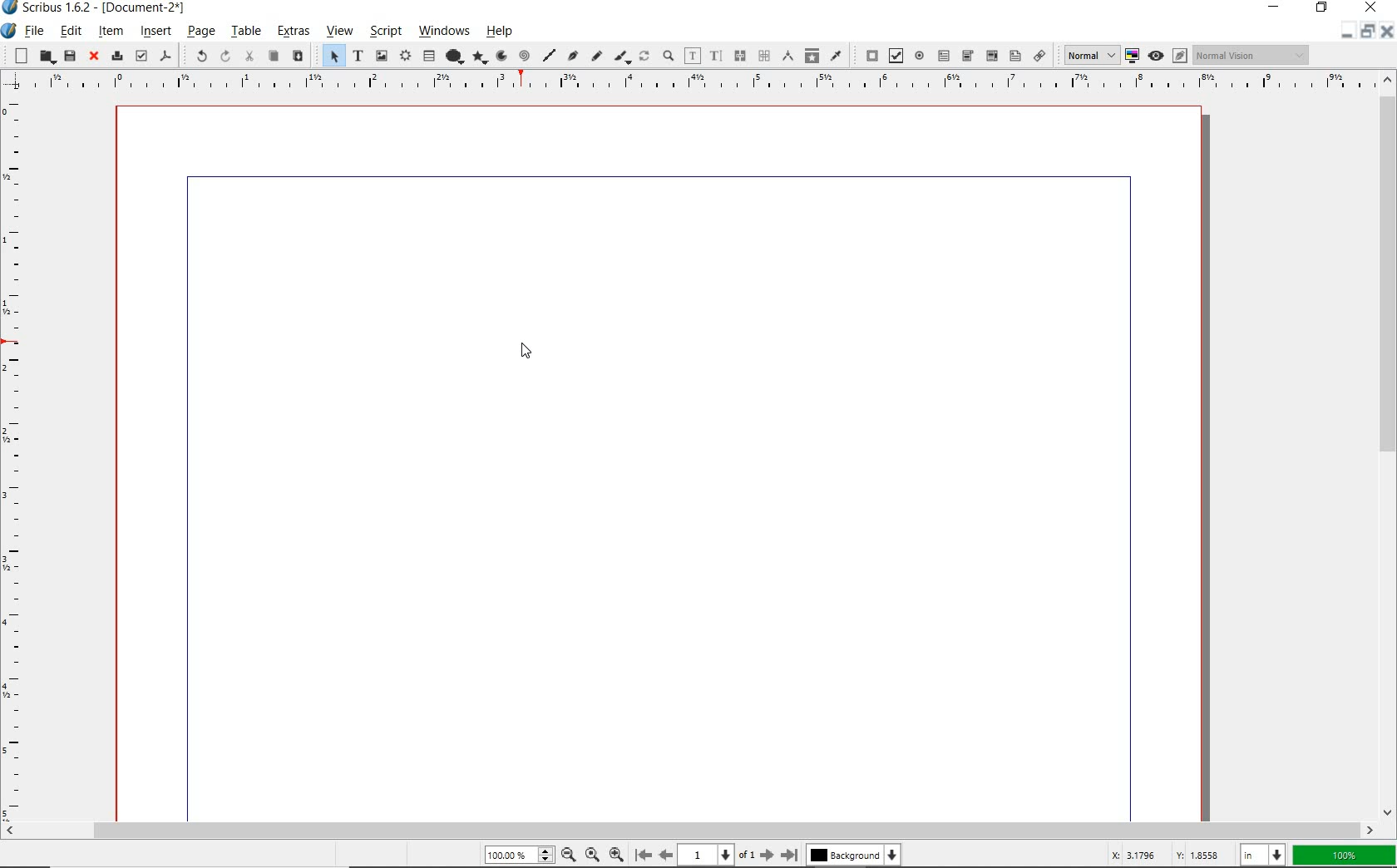 The width and height of the screenshot is (1397, 868). I want to click on ruler, so click(698, 84).